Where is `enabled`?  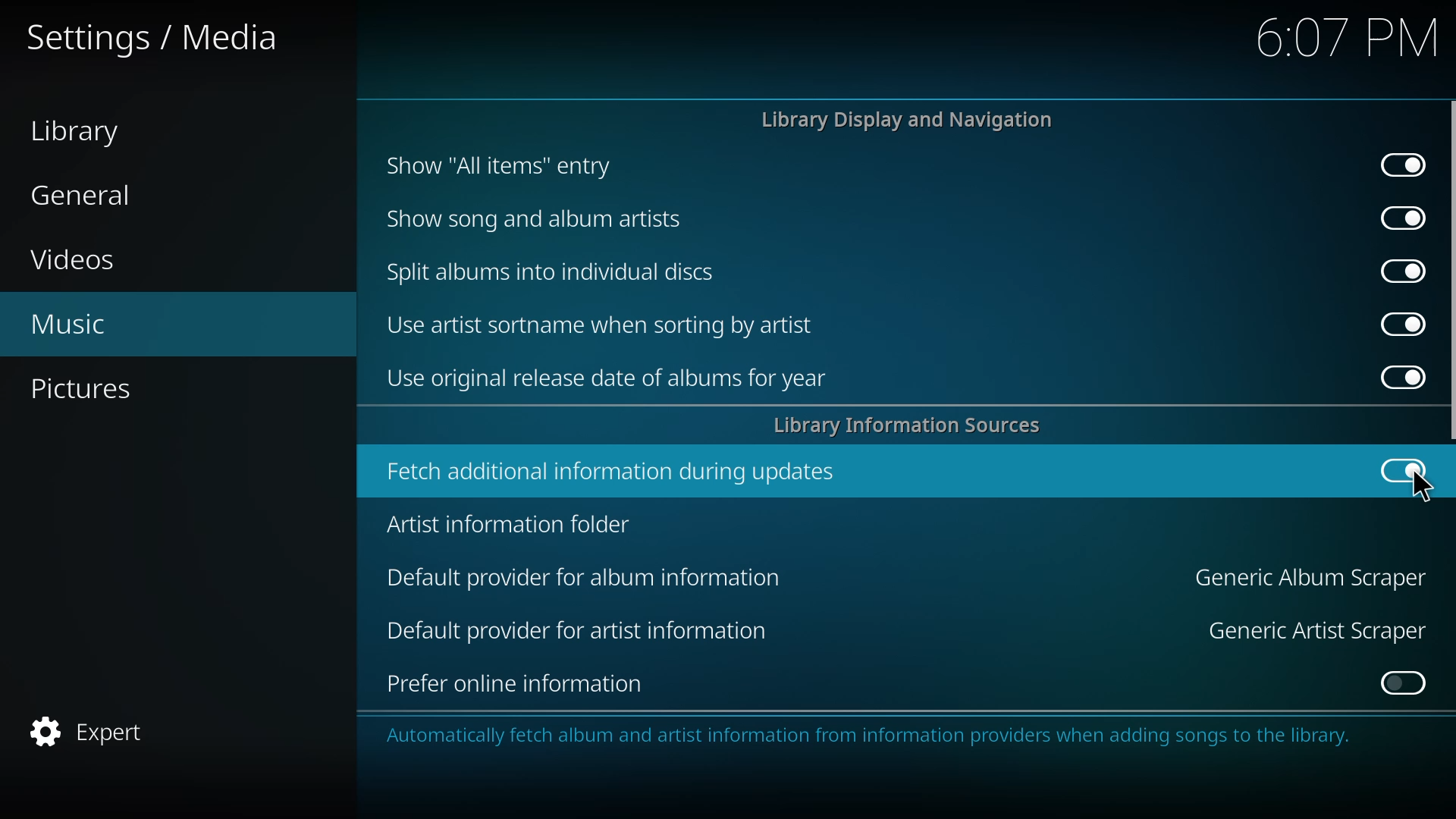 enabled is located at coordinates (1404, 469).